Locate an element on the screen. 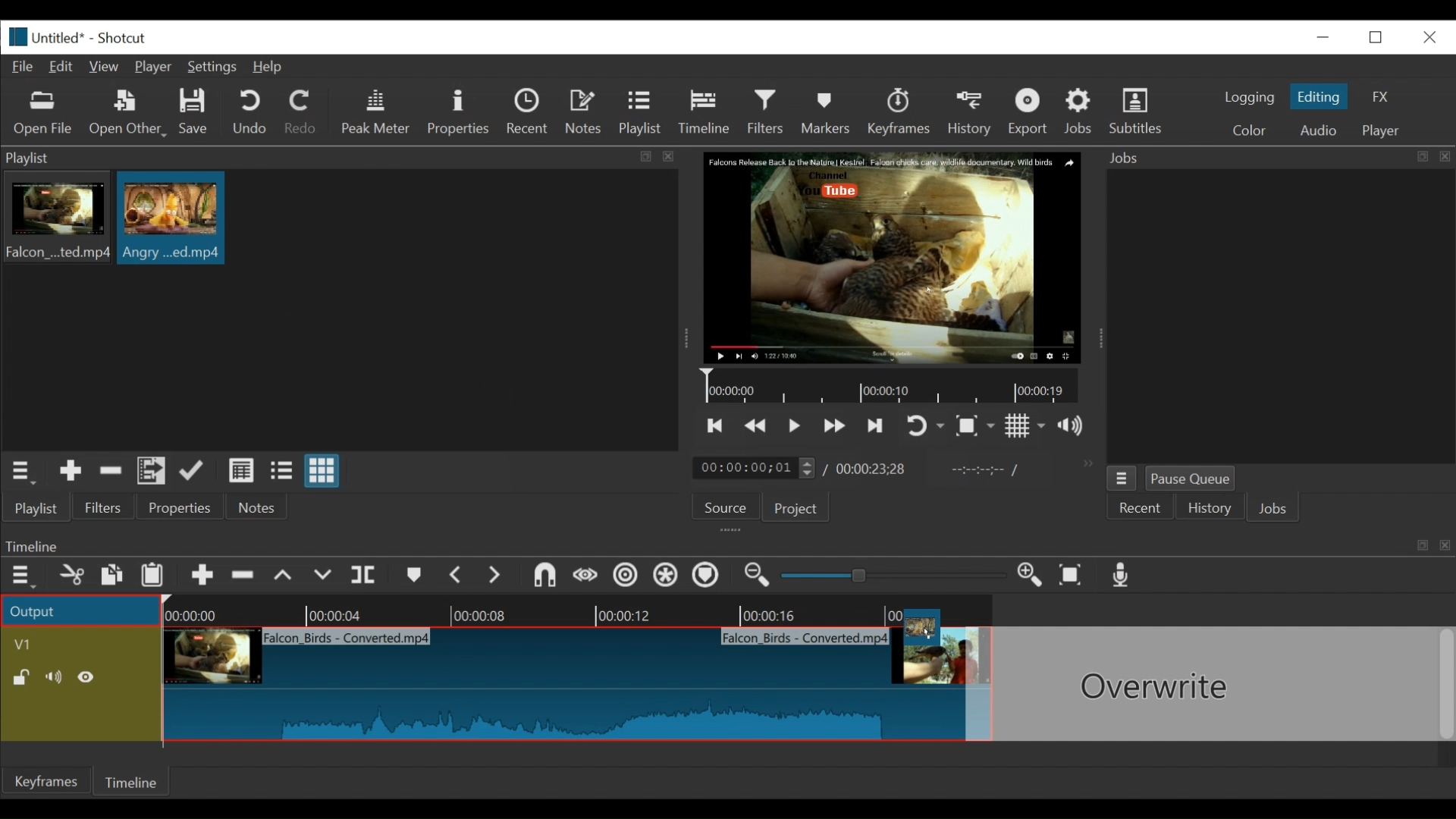 The height and width of the screenshot is (819, 1456). View is located at coordinates (105, 67).